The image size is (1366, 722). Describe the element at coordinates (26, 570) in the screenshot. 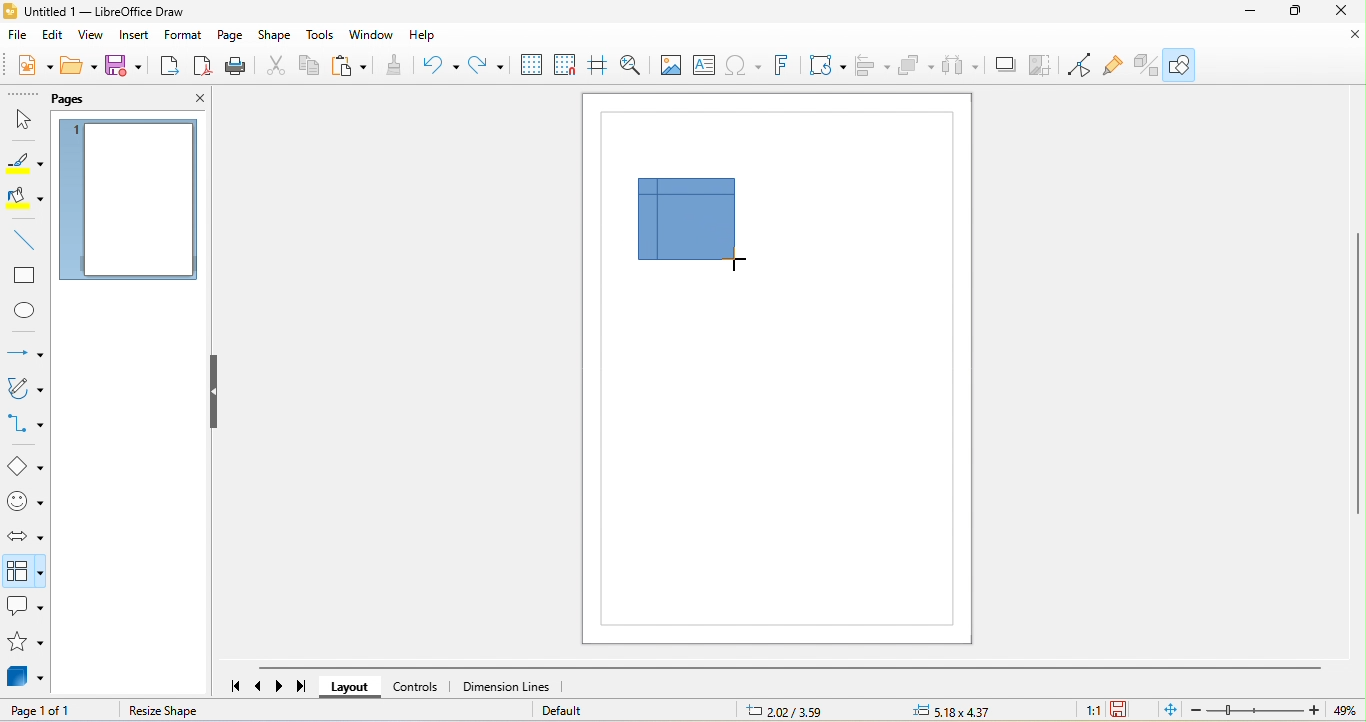

I see `select option` at that location.